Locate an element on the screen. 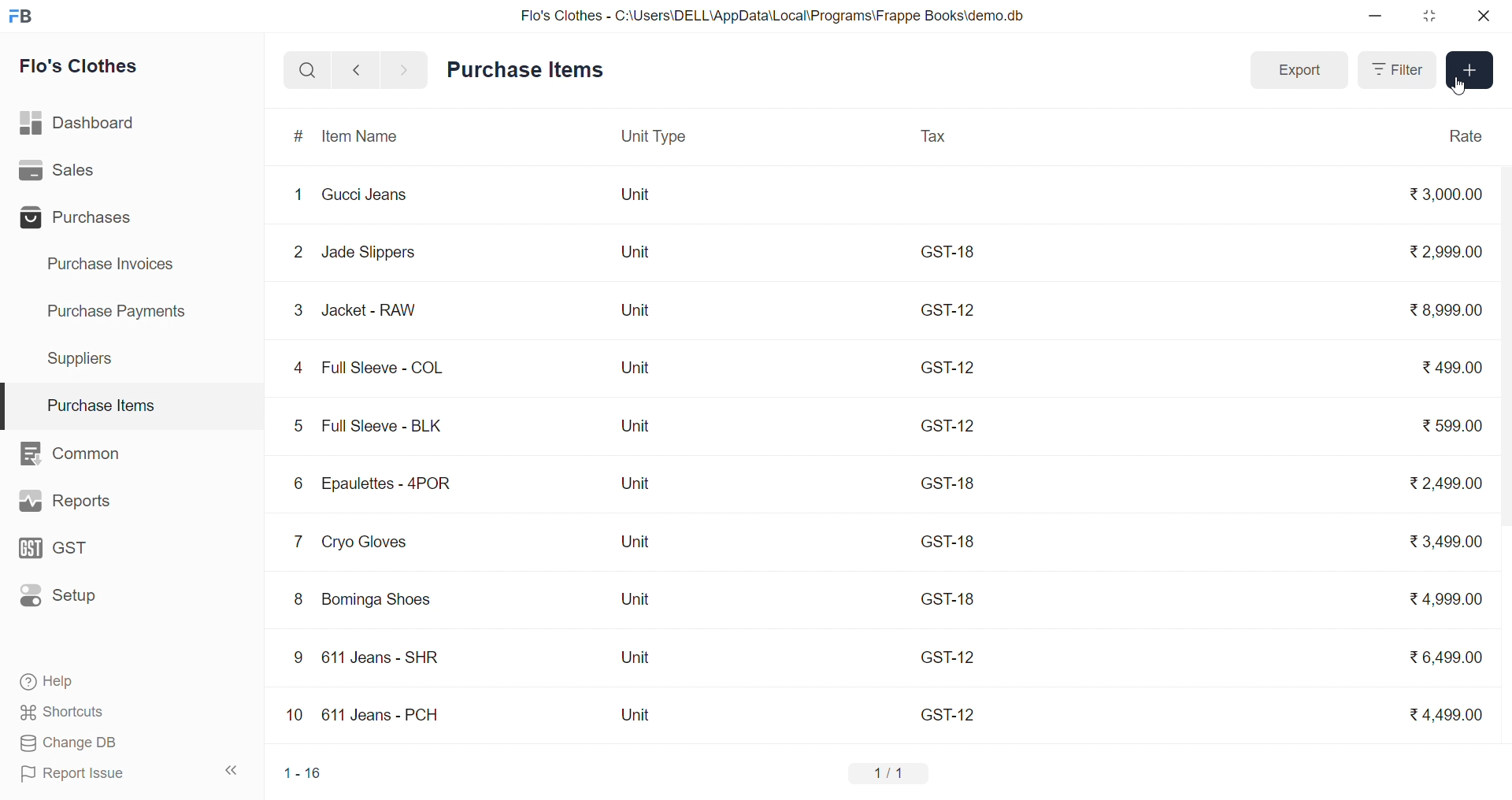  1/1 is located at coordinates (887, 774).